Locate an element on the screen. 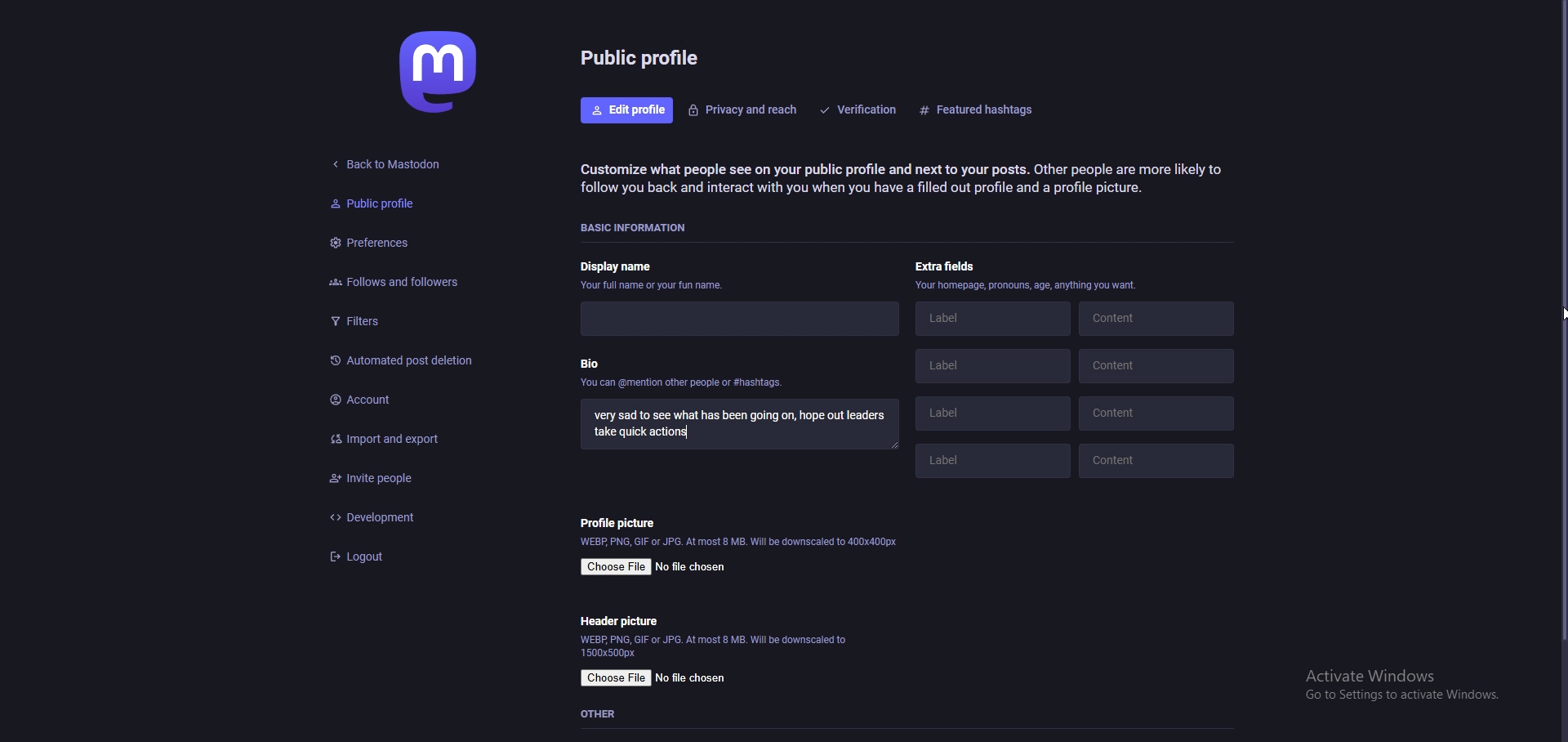 This screenshot has width=1568, height=742. back to mastodon is located at coordinates (388, 166).